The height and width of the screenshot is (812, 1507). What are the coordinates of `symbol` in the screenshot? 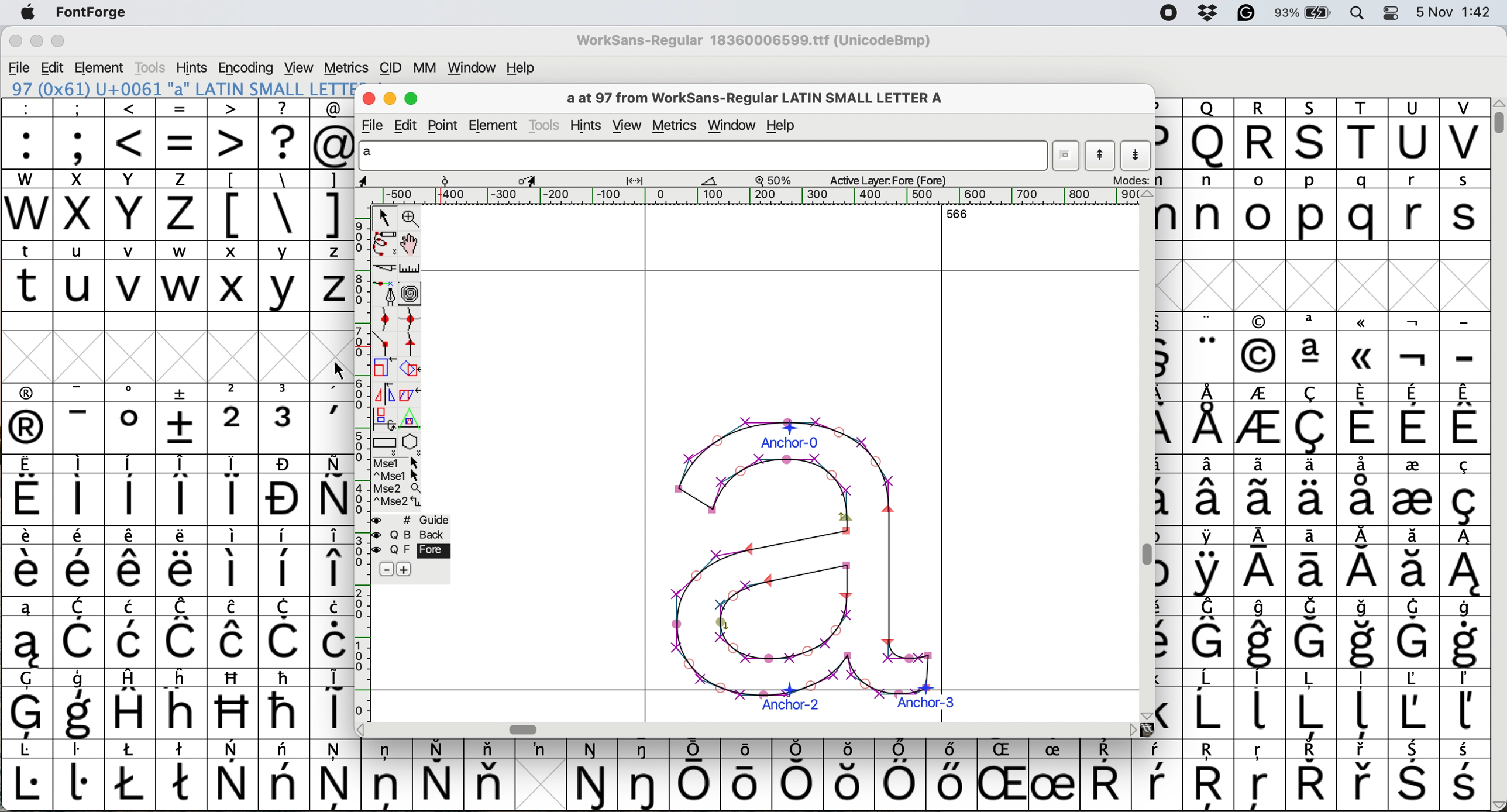 It's located at (438, 775).